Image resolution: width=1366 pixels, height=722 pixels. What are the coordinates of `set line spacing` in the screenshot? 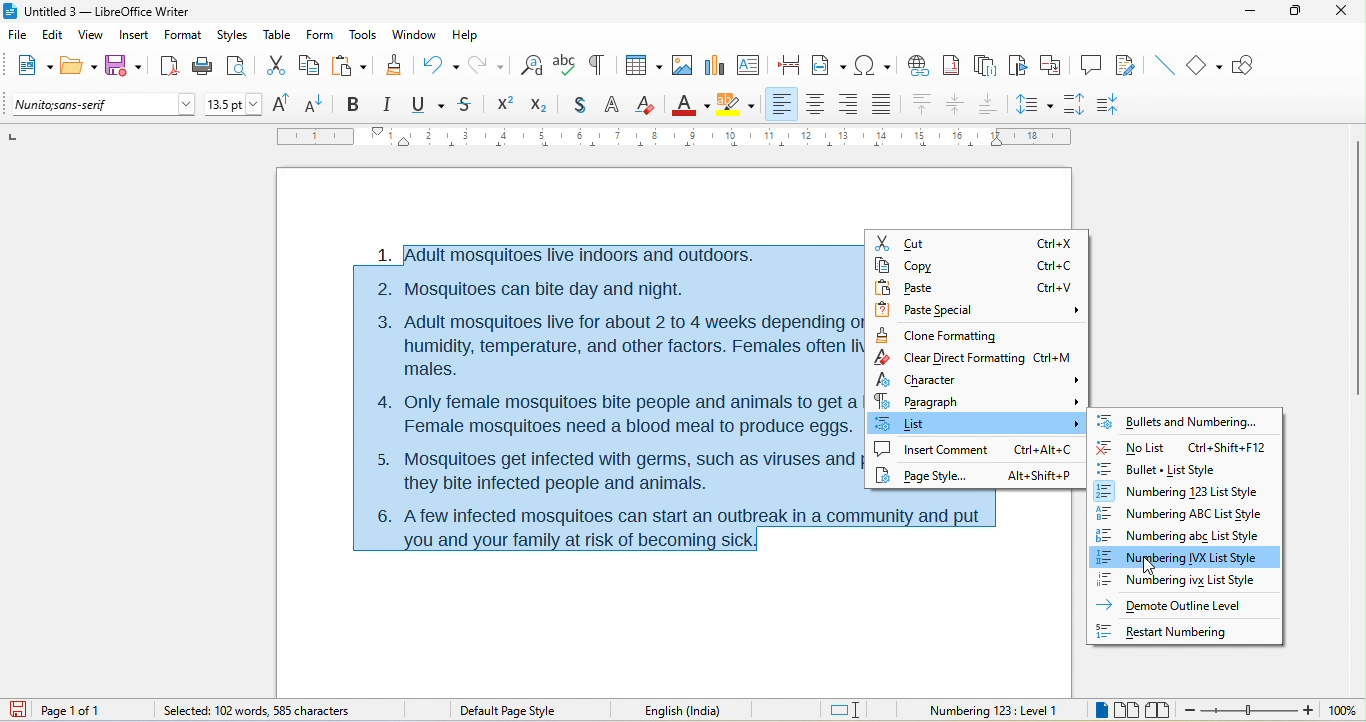 It's located at (1035, 103).